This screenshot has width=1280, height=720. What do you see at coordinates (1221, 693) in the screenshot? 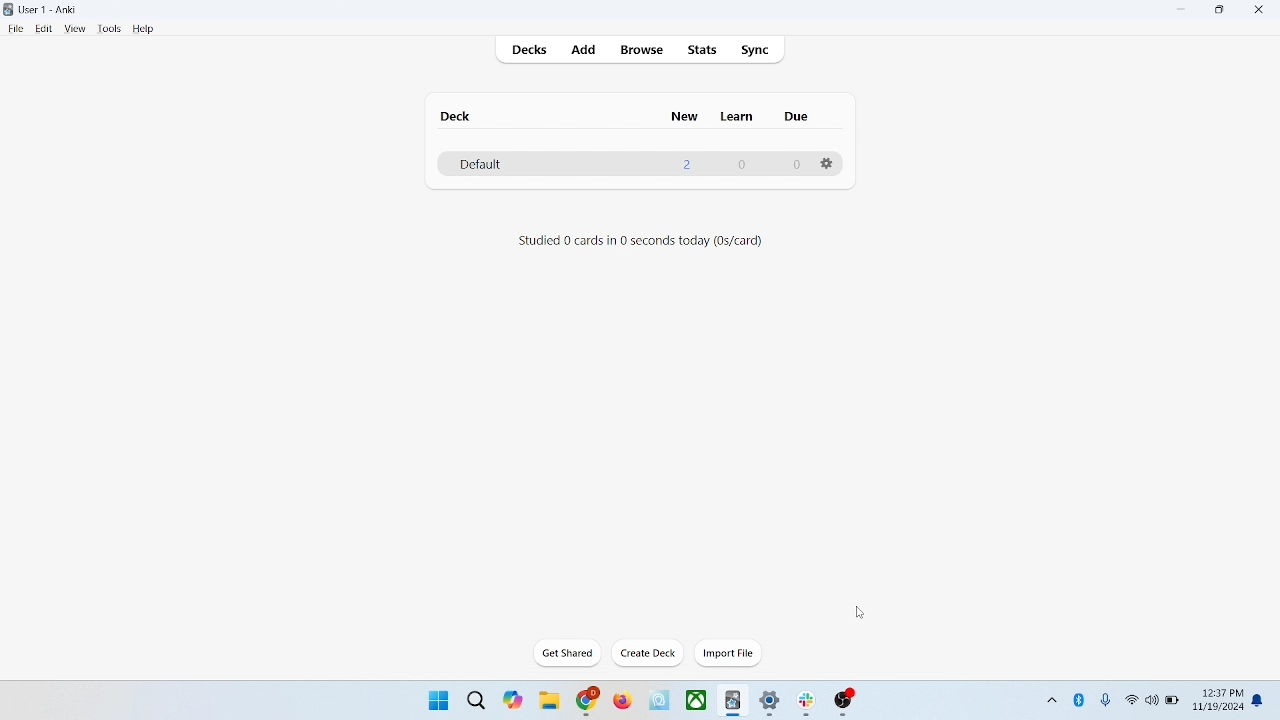
I see `12:37 PM` at bounding box center [1221, 693].